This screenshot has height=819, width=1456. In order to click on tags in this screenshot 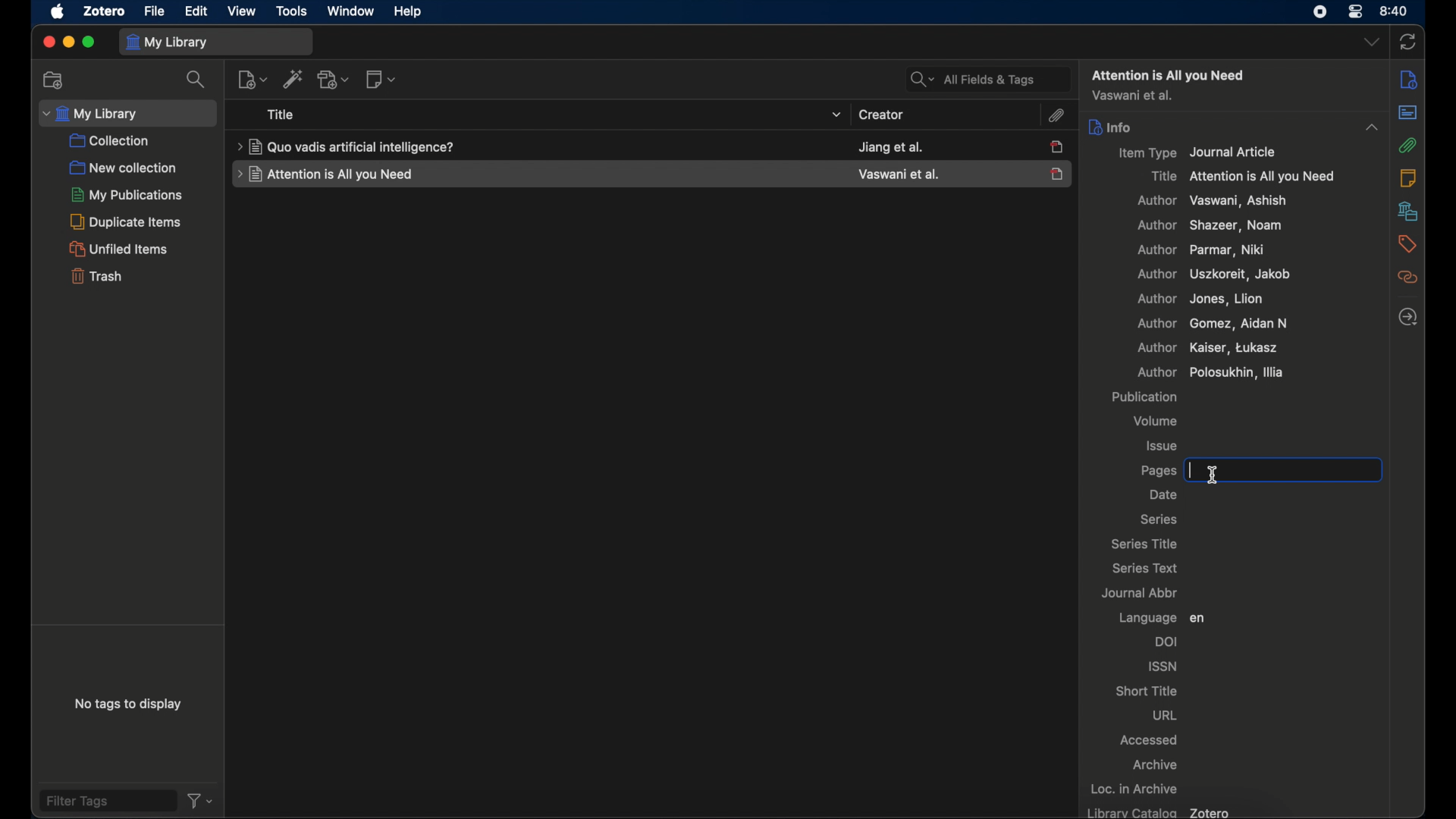, I will do `click(1407, 243)`.